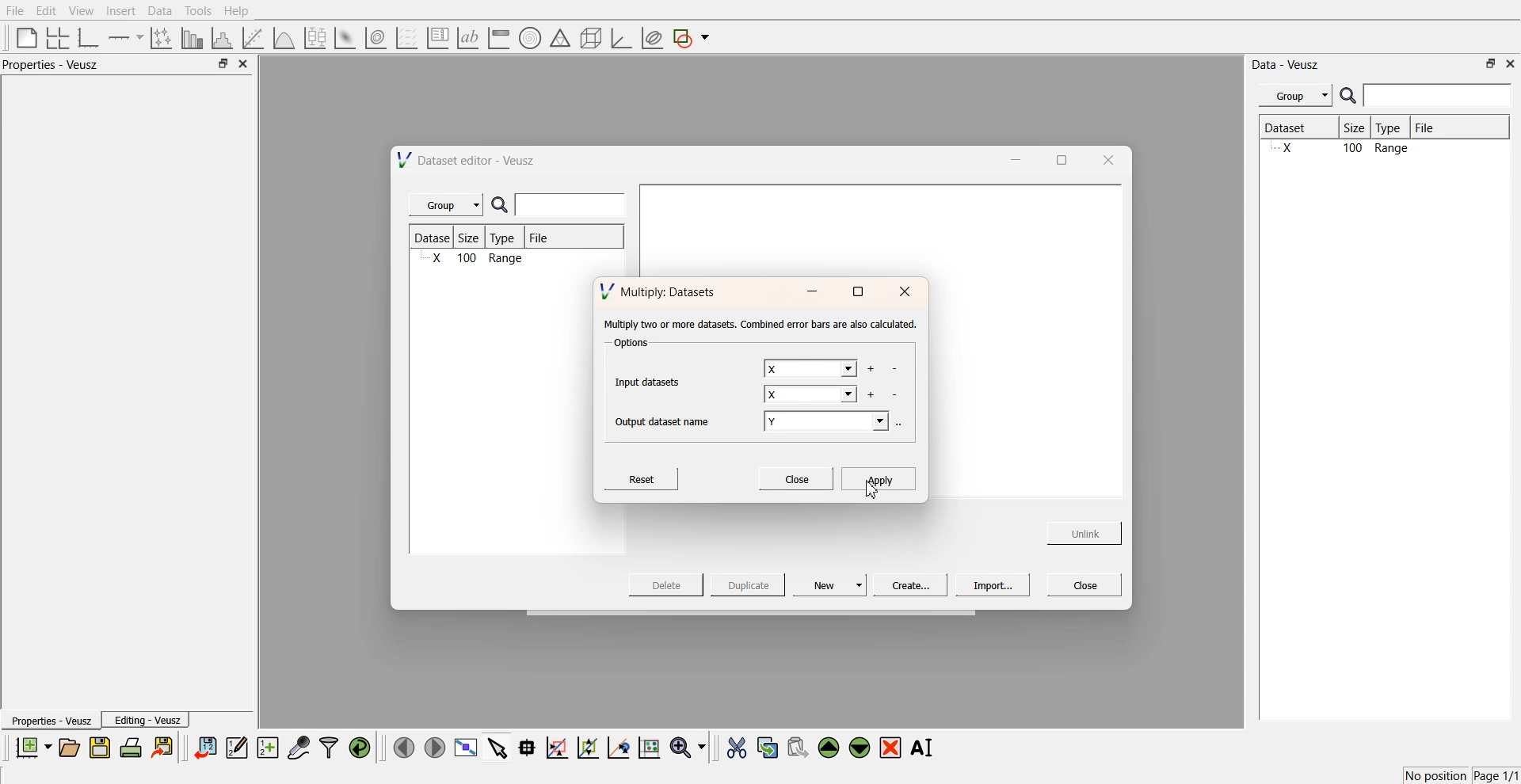 Image resolution: width=1521 pixels, height=784 pixels. Describe the element at coordinates (1511, 63) in the screenshot. I see `close` at that location.